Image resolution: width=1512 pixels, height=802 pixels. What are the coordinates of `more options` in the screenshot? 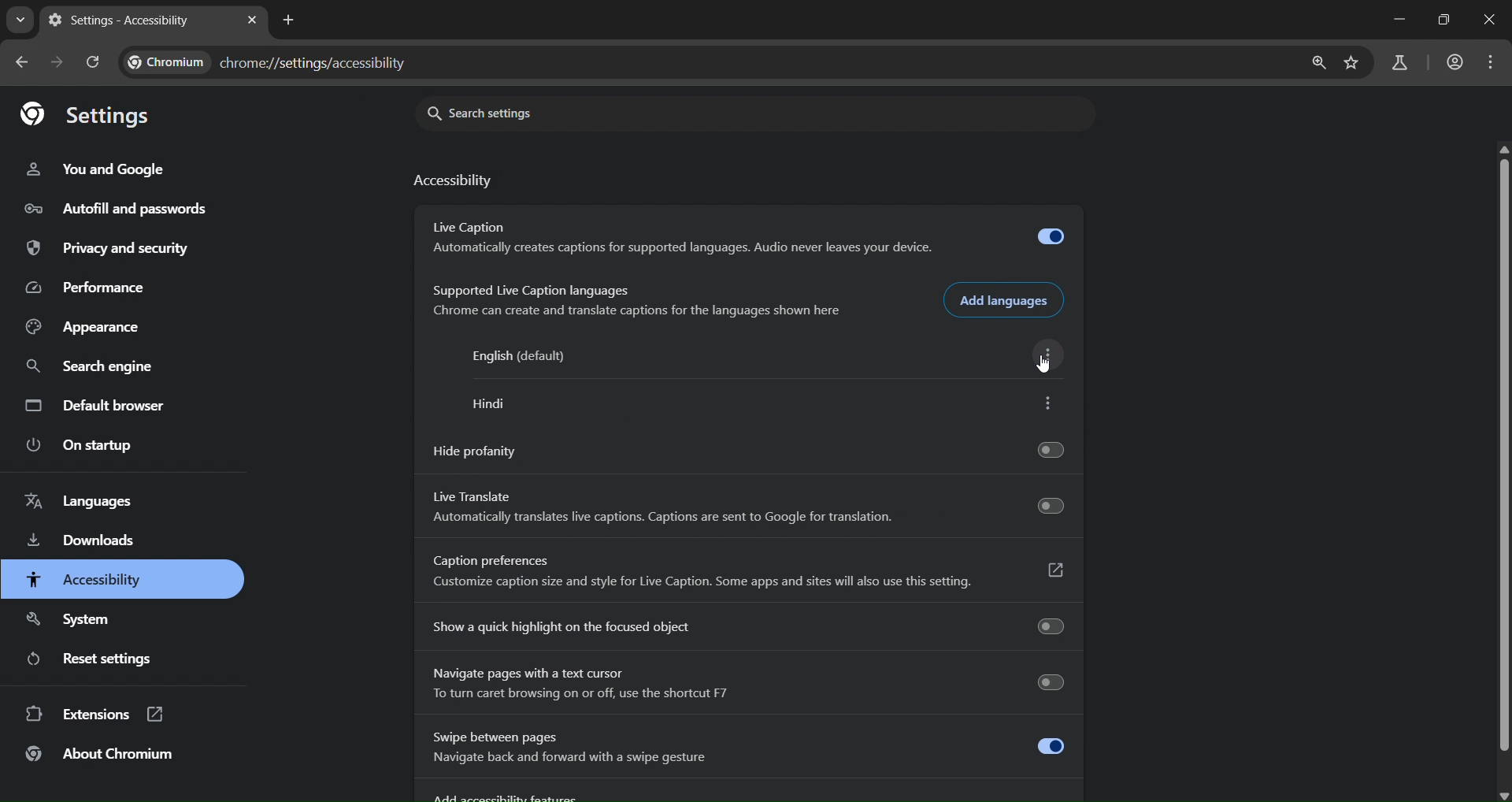 It's located at (1049, 355).